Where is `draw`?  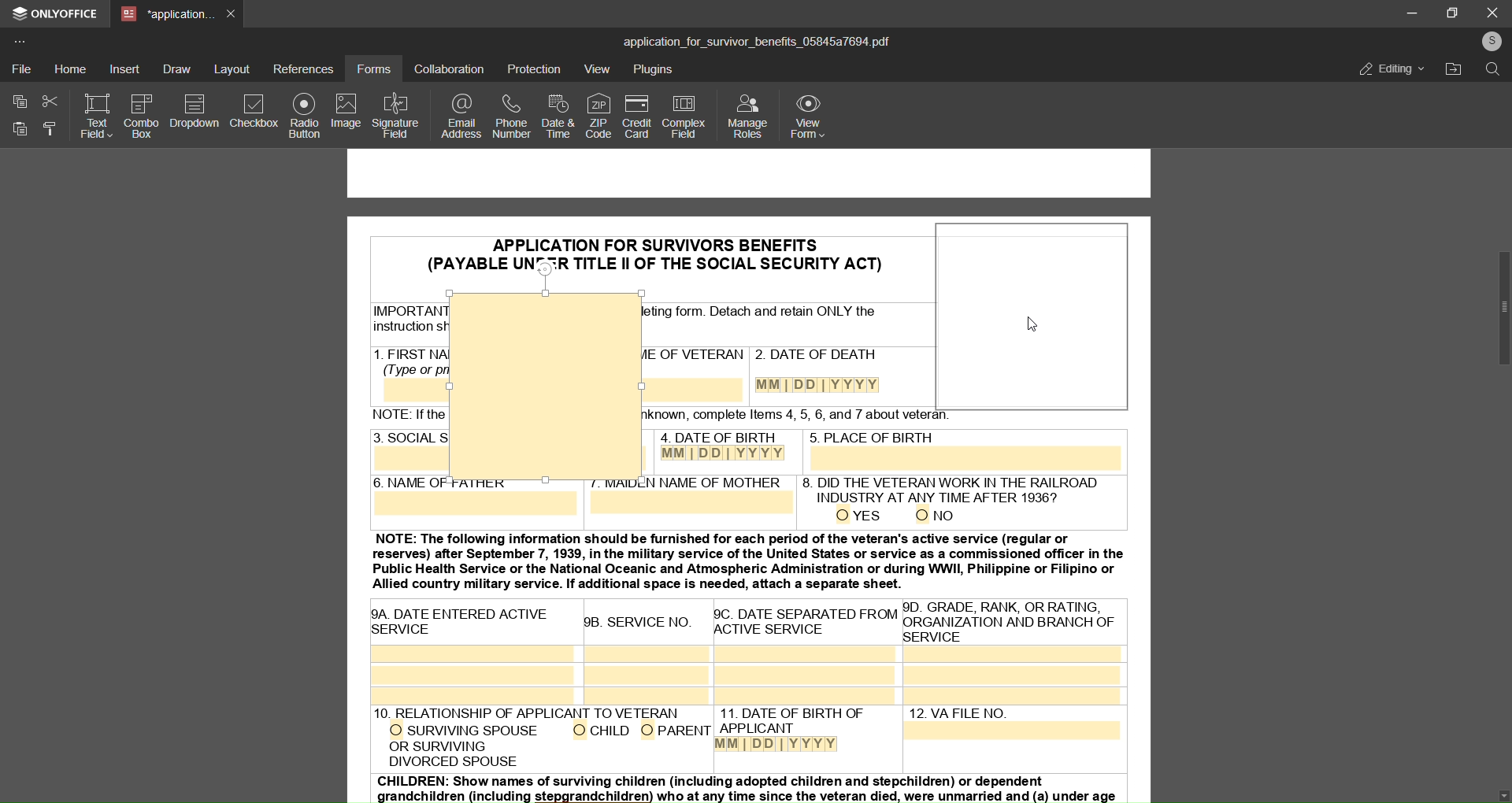 draw is located at coordinates (176, 68).